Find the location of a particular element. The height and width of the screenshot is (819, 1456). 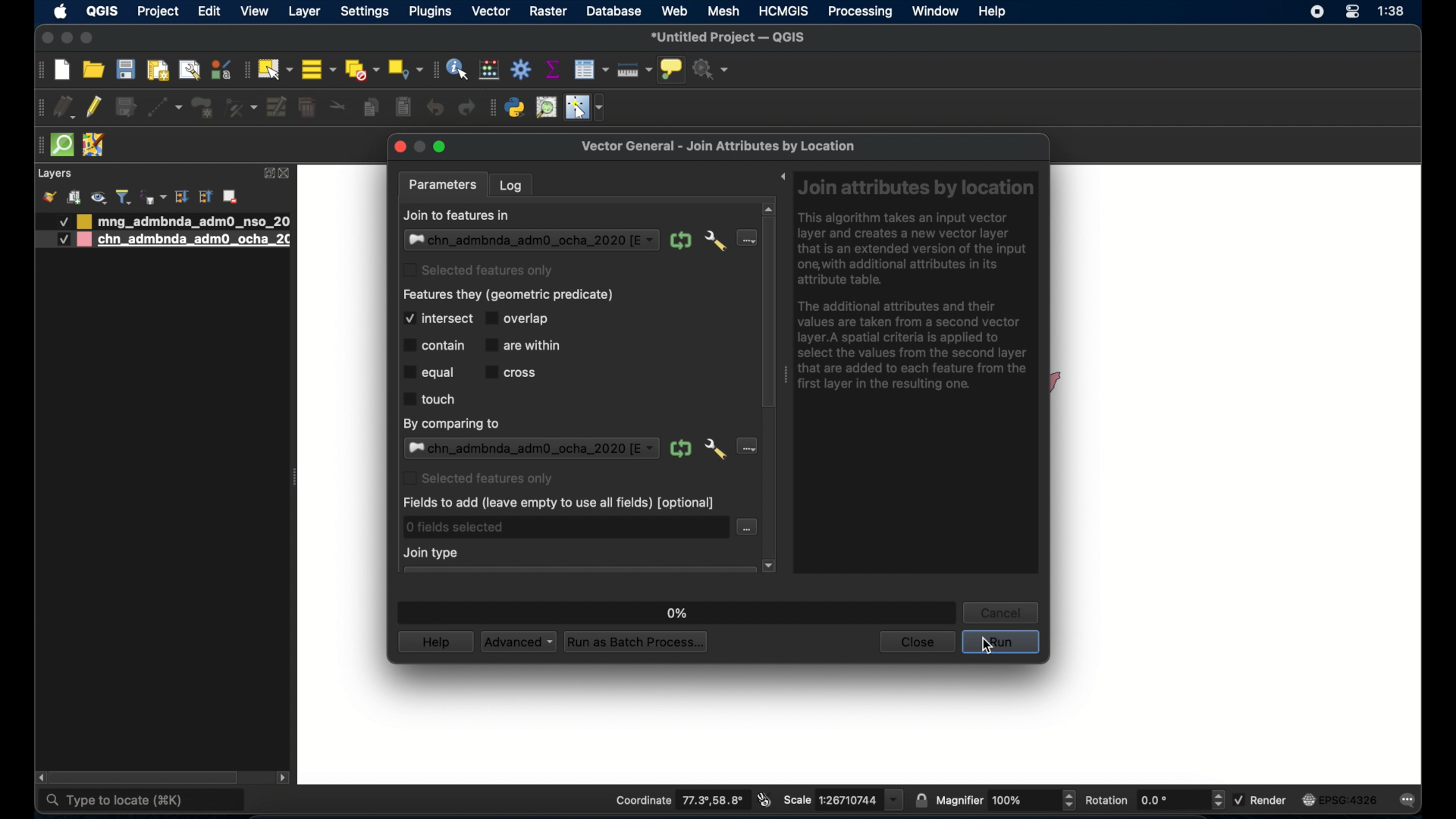

manage map themes is located at coordinates (98, 197).